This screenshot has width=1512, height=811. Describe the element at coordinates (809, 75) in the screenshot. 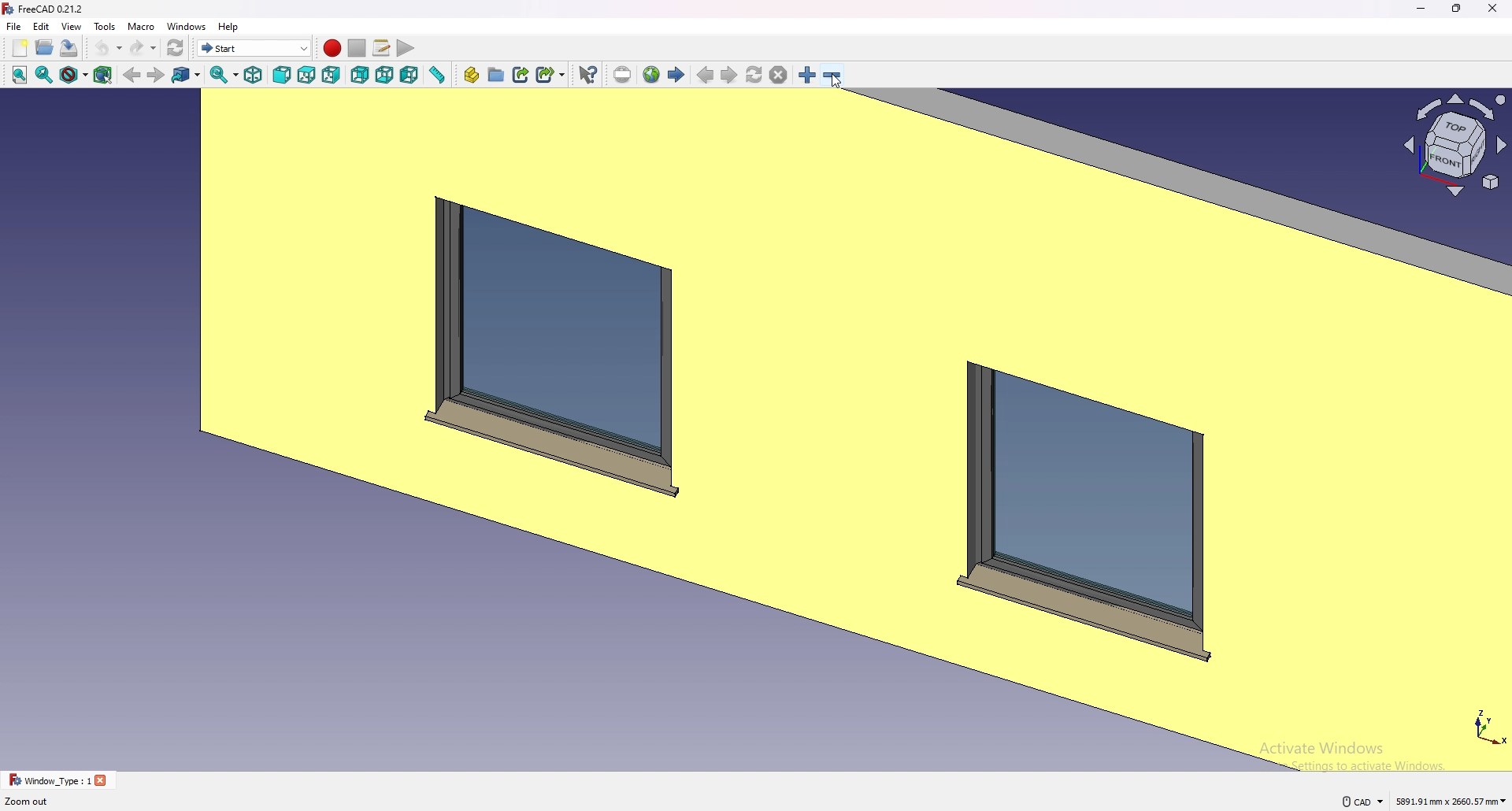

I see `zoom in` at that location.